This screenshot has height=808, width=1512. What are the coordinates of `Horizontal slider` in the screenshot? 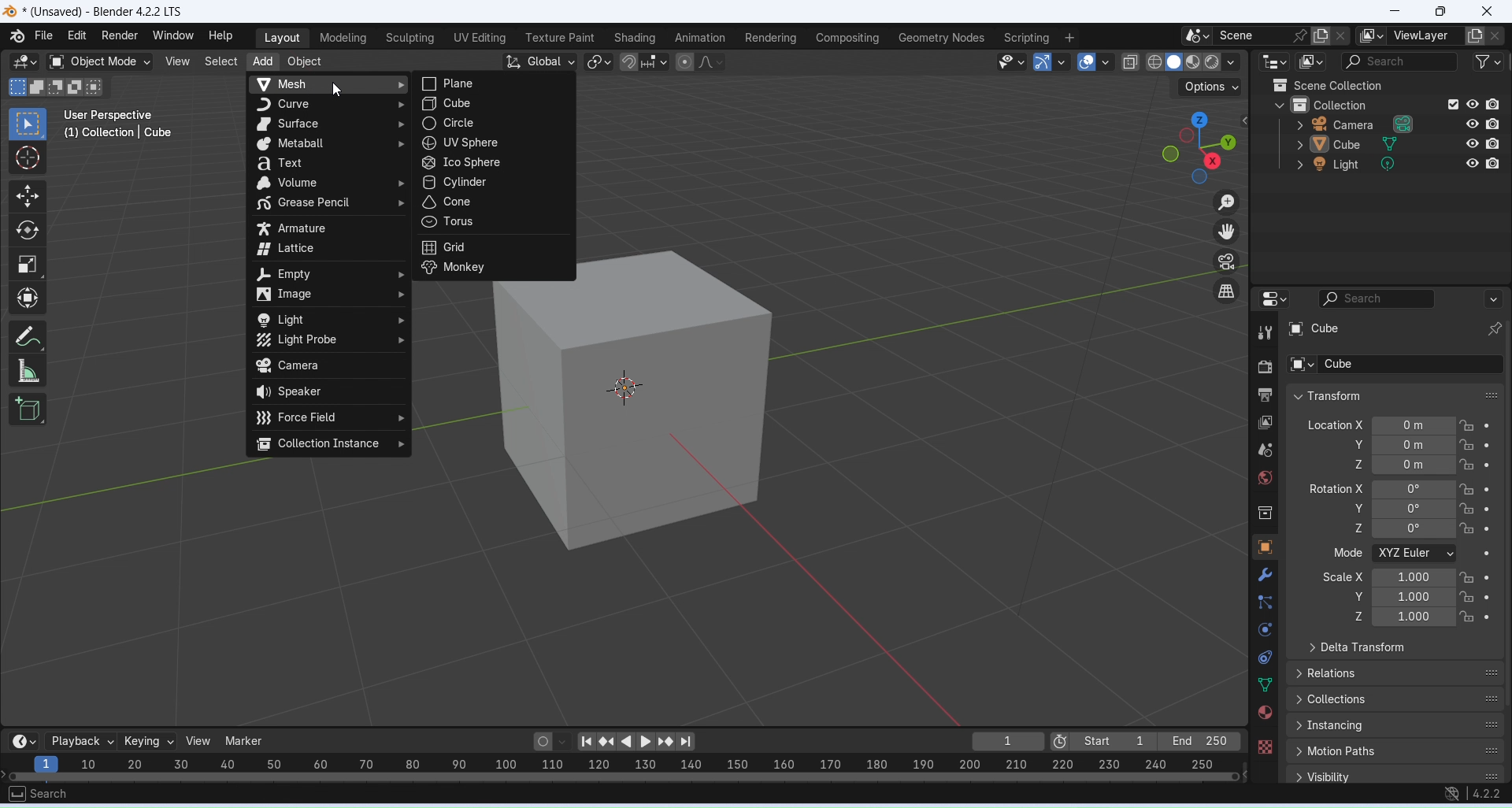 It's located at (626, 776).